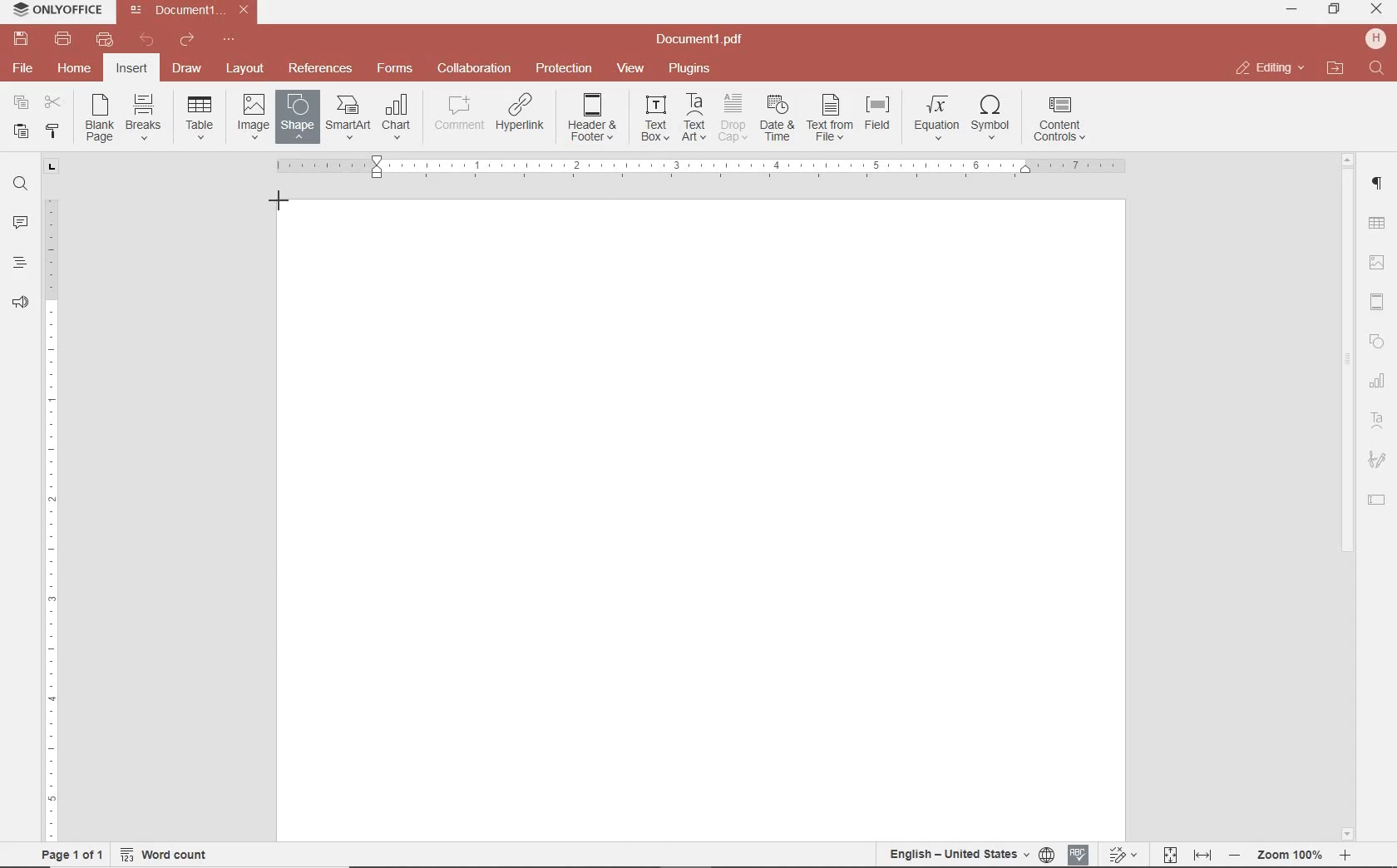 This screenshot has height=868, width=1397. Describe the element at coordinates (19, 39) in the screenshot. I see `save` at that location.